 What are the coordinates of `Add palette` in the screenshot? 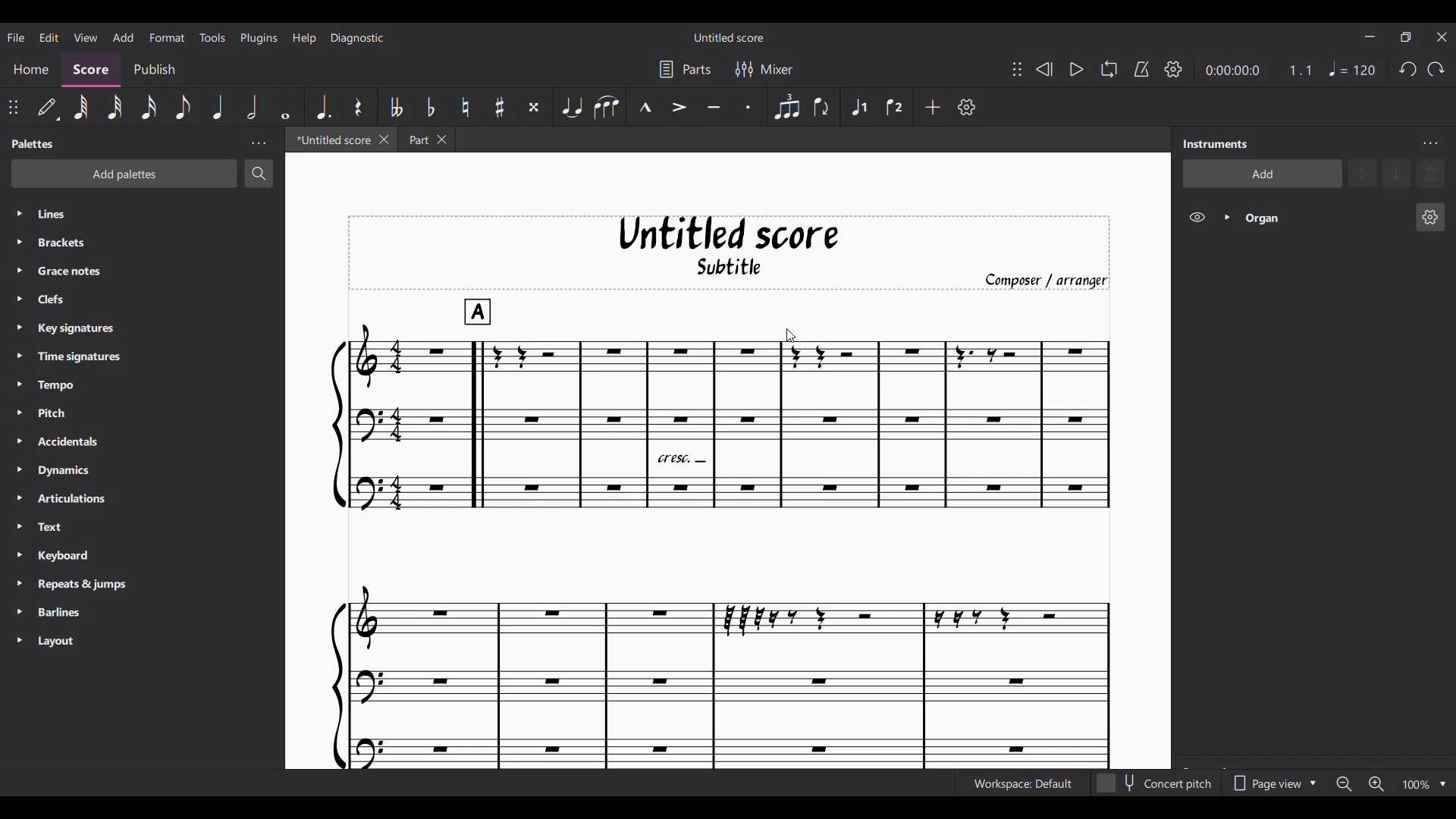 It's located at (124, 174).